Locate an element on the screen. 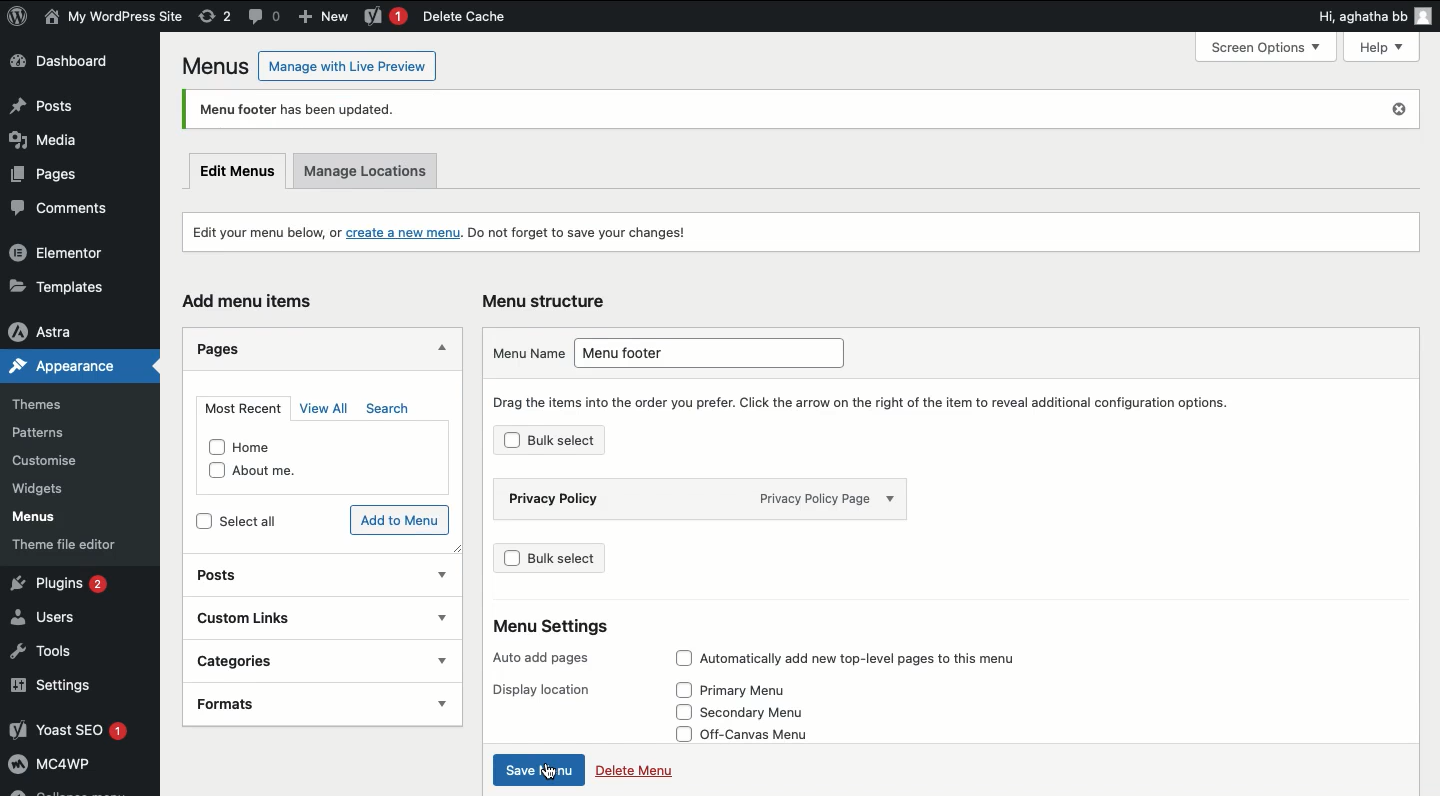 Image resolution: width=1440 pixels, height=796 pixels. user icon is located at coordinates (1424, 18).